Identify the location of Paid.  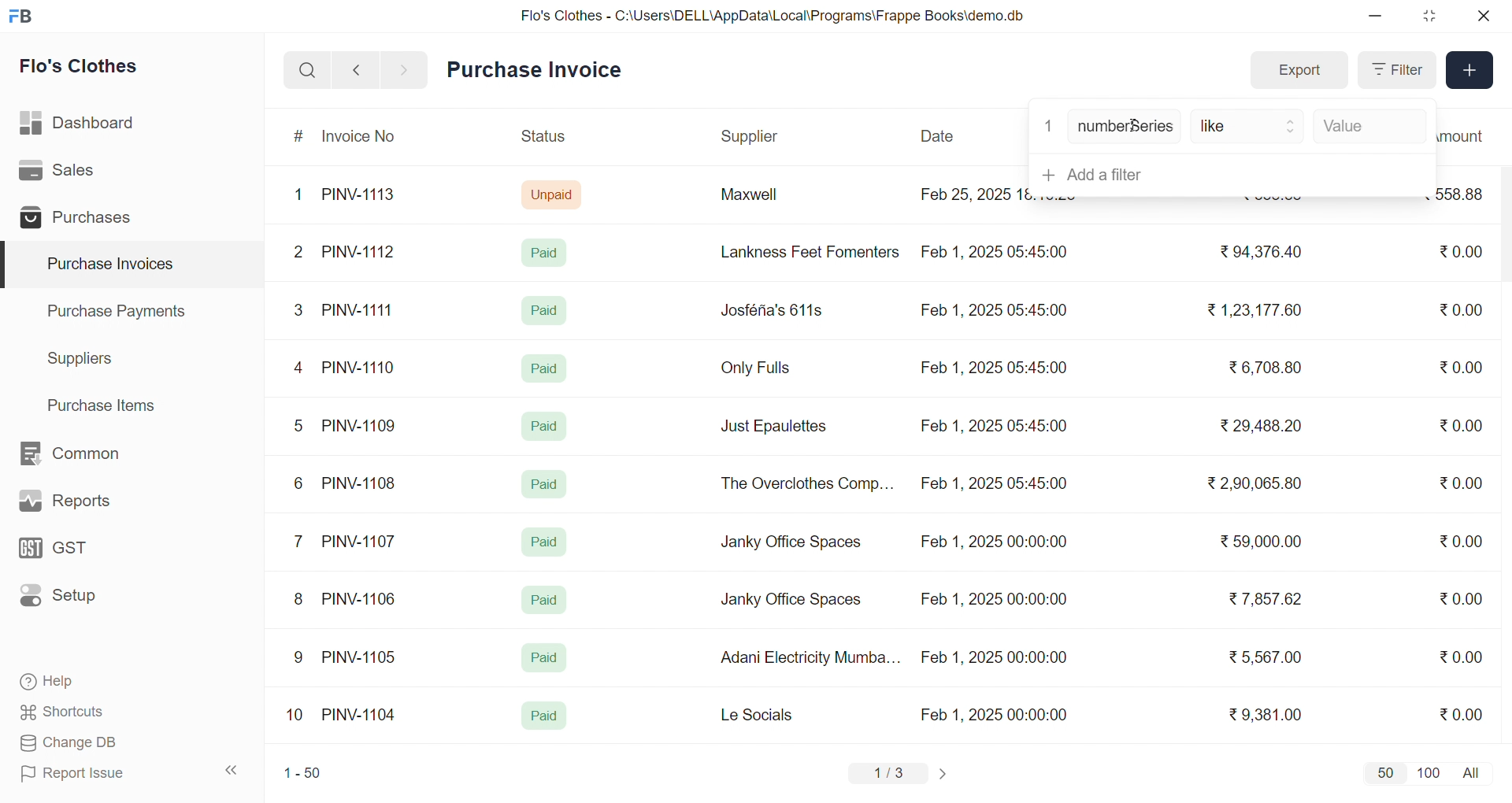
(544, 716).